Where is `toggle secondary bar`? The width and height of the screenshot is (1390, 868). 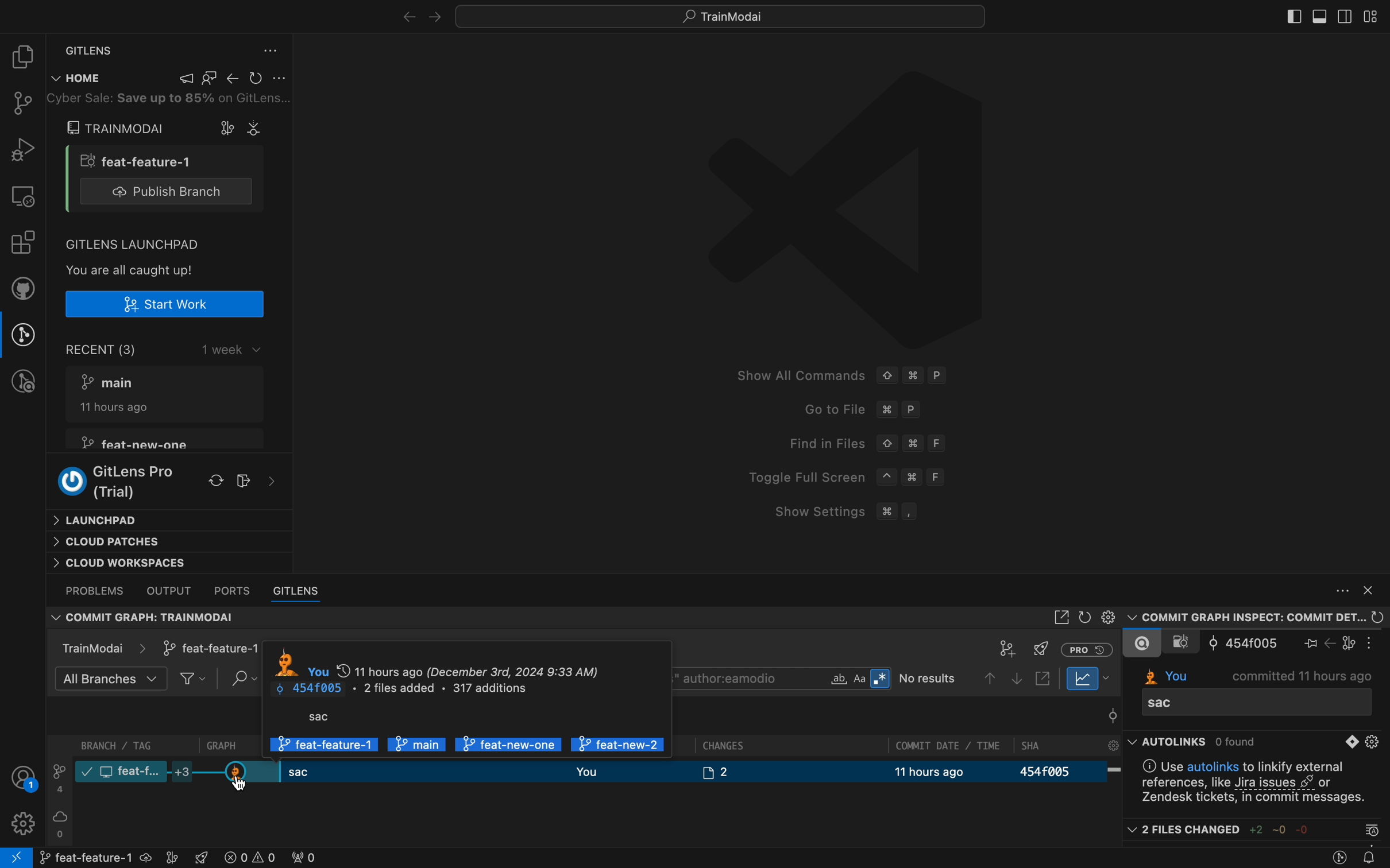 toggle secondary bar is located at coordinates (1346, 16).